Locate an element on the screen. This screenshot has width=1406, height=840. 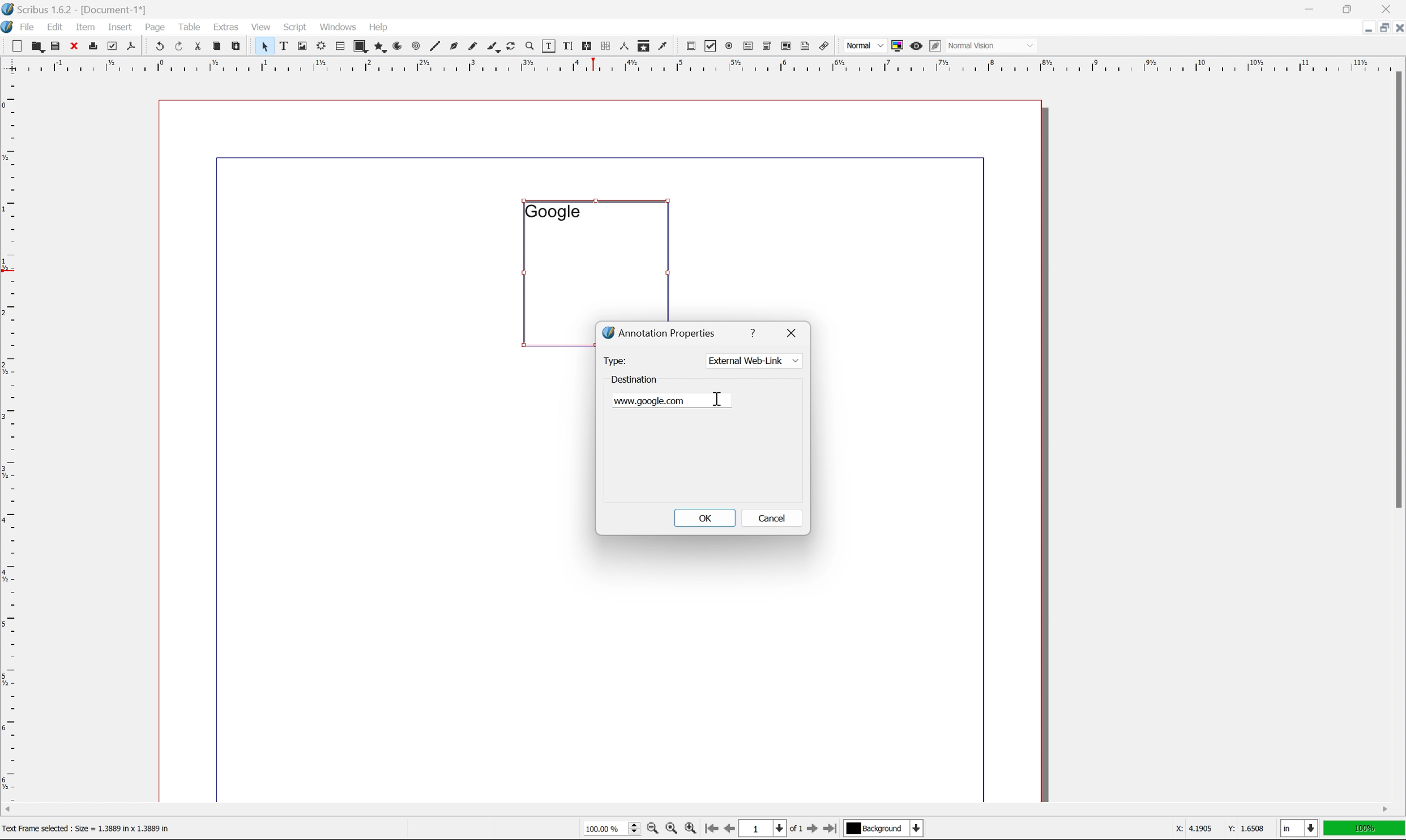
save is located at coordinates (55, 46).